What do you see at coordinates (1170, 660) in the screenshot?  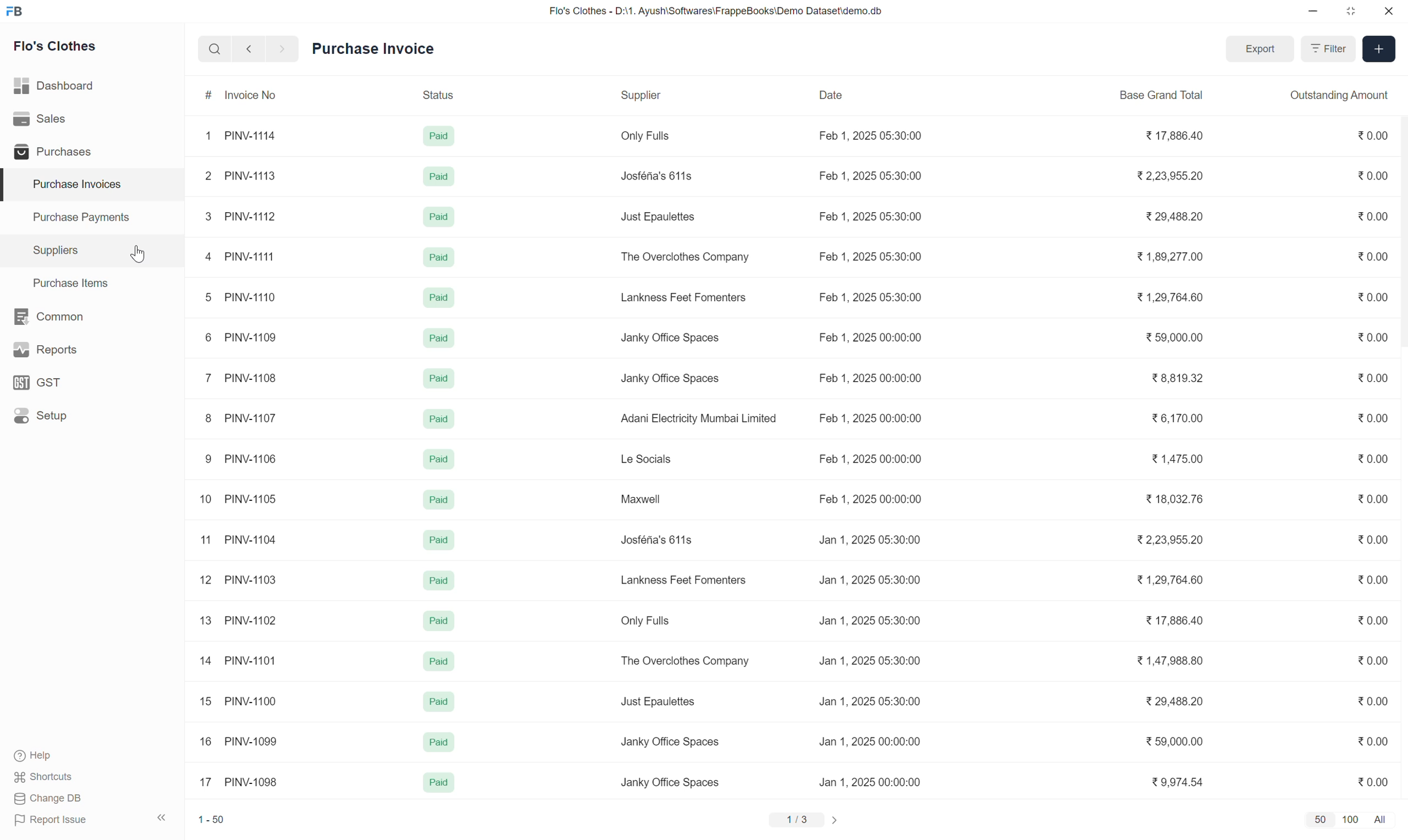 I see `1,47,988.80` at bounding box center [1170, 660].